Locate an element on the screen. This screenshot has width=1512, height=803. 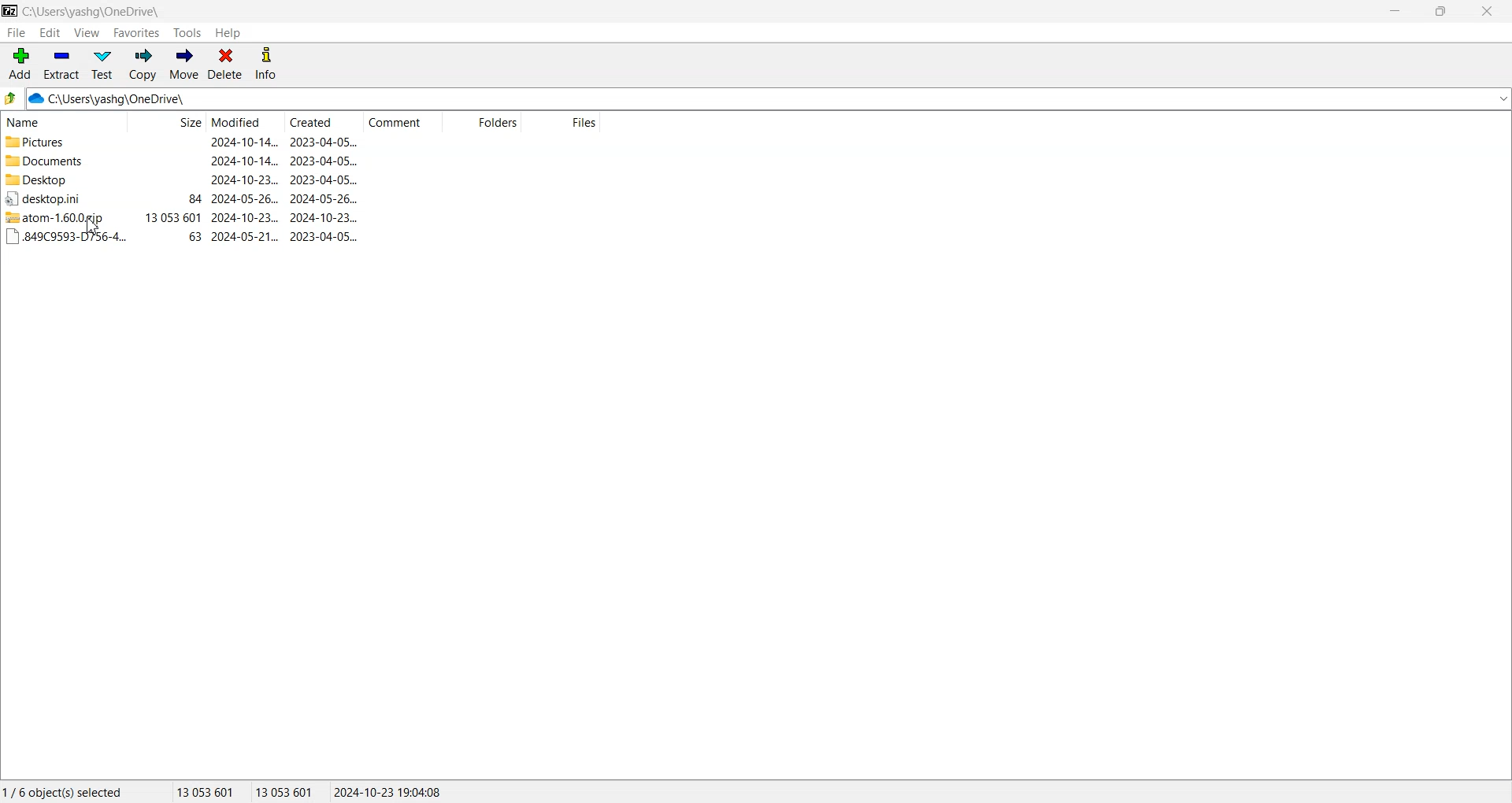
Size is located at coordinates (166, 123).